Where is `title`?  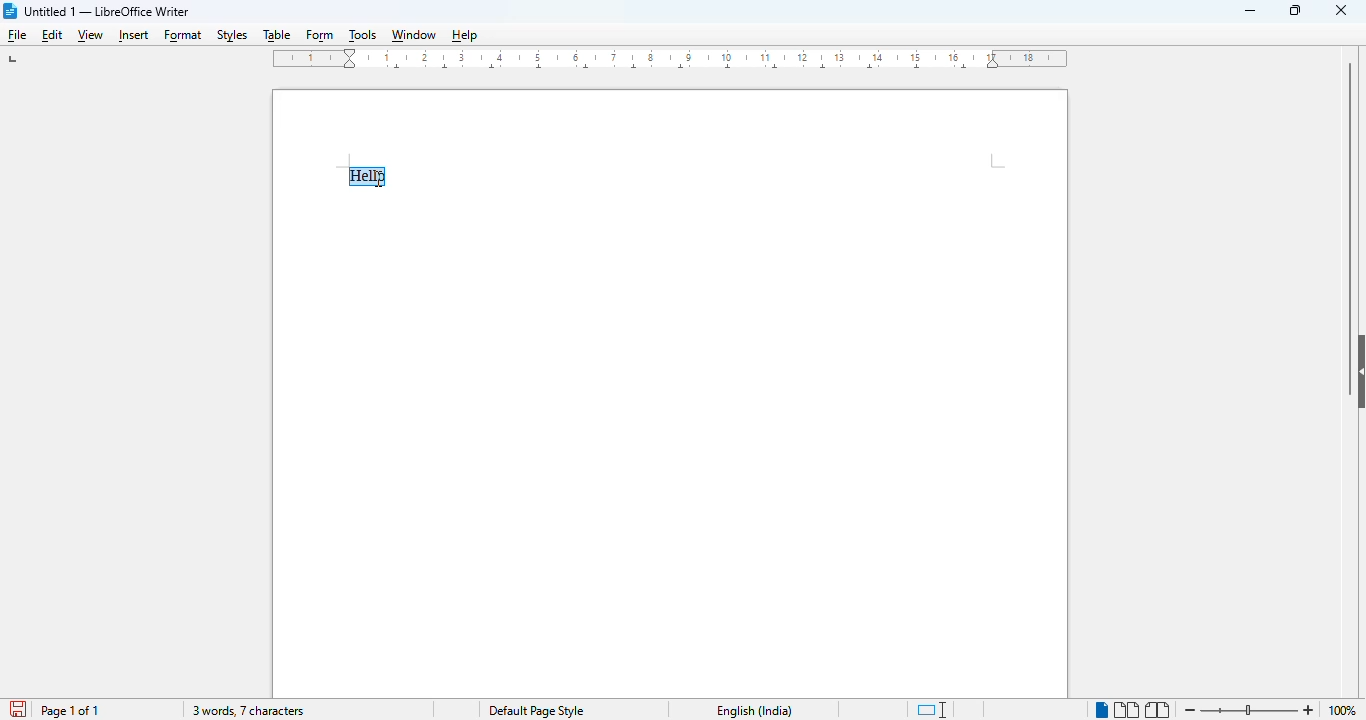
title is located at coordinates (107, 11).